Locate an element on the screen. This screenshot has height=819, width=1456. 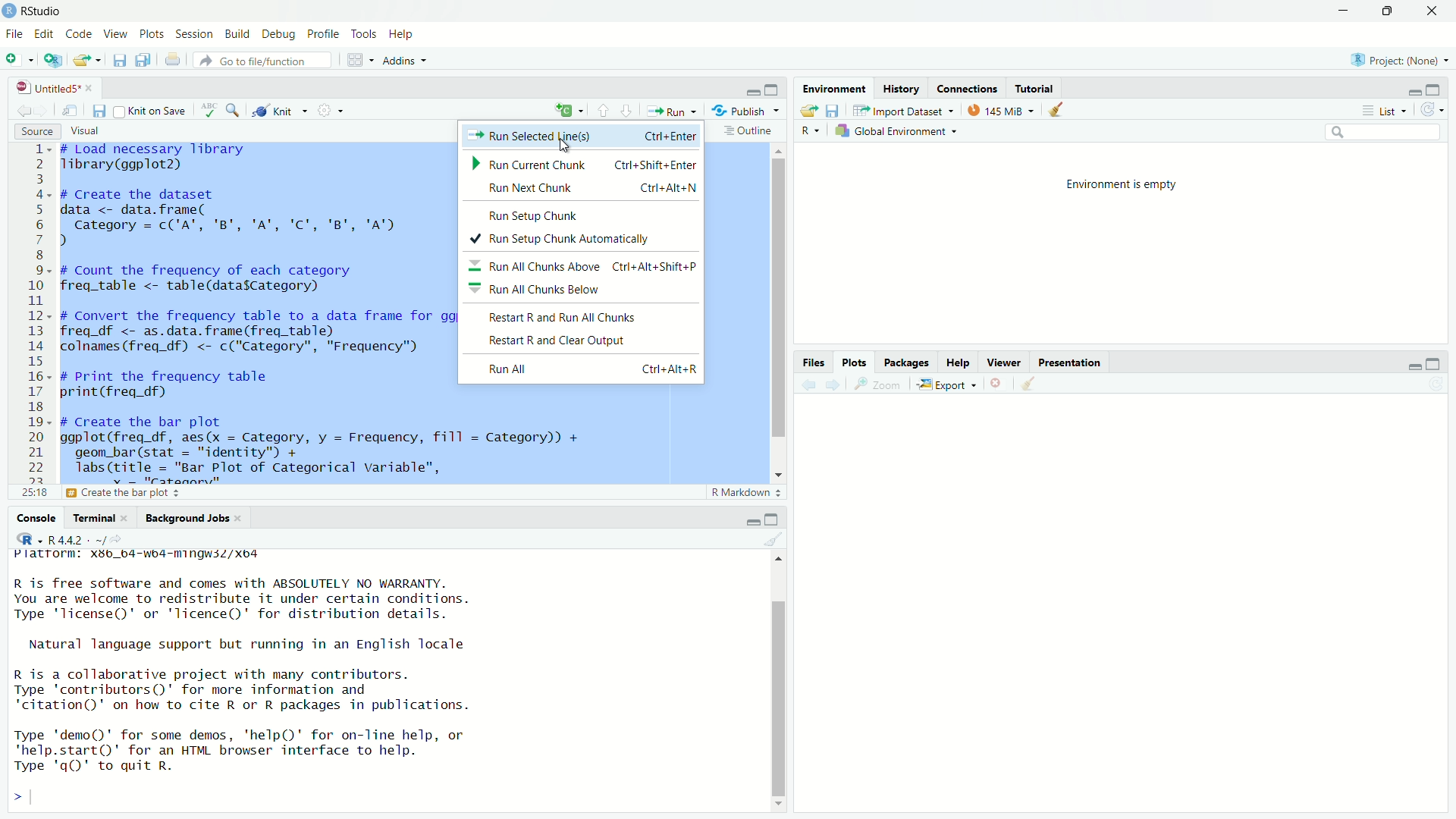
run current file is located at coordinates (671, 111).